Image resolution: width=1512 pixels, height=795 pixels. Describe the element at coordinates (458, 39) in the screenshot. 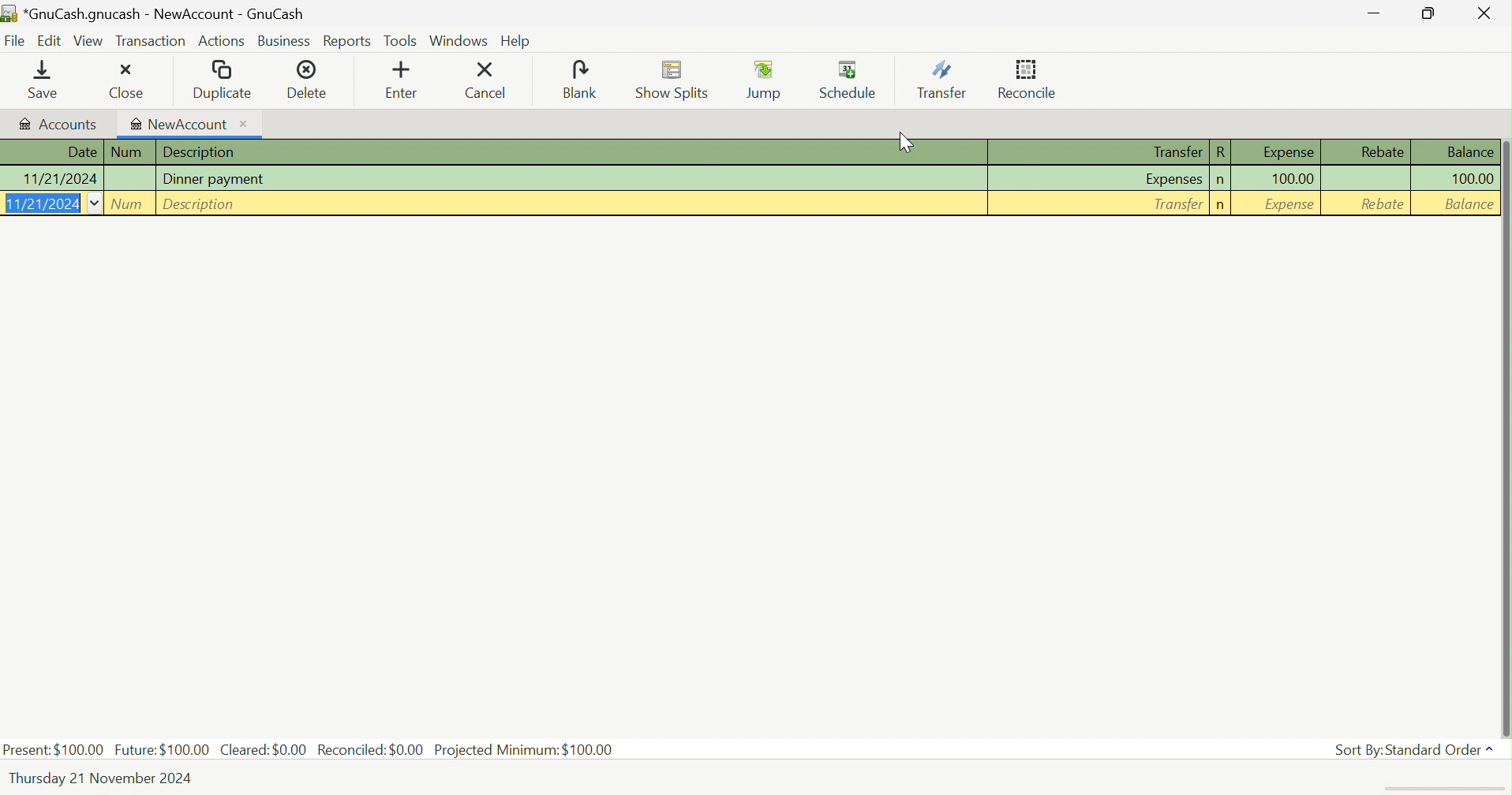

I see `Windows` at that location.